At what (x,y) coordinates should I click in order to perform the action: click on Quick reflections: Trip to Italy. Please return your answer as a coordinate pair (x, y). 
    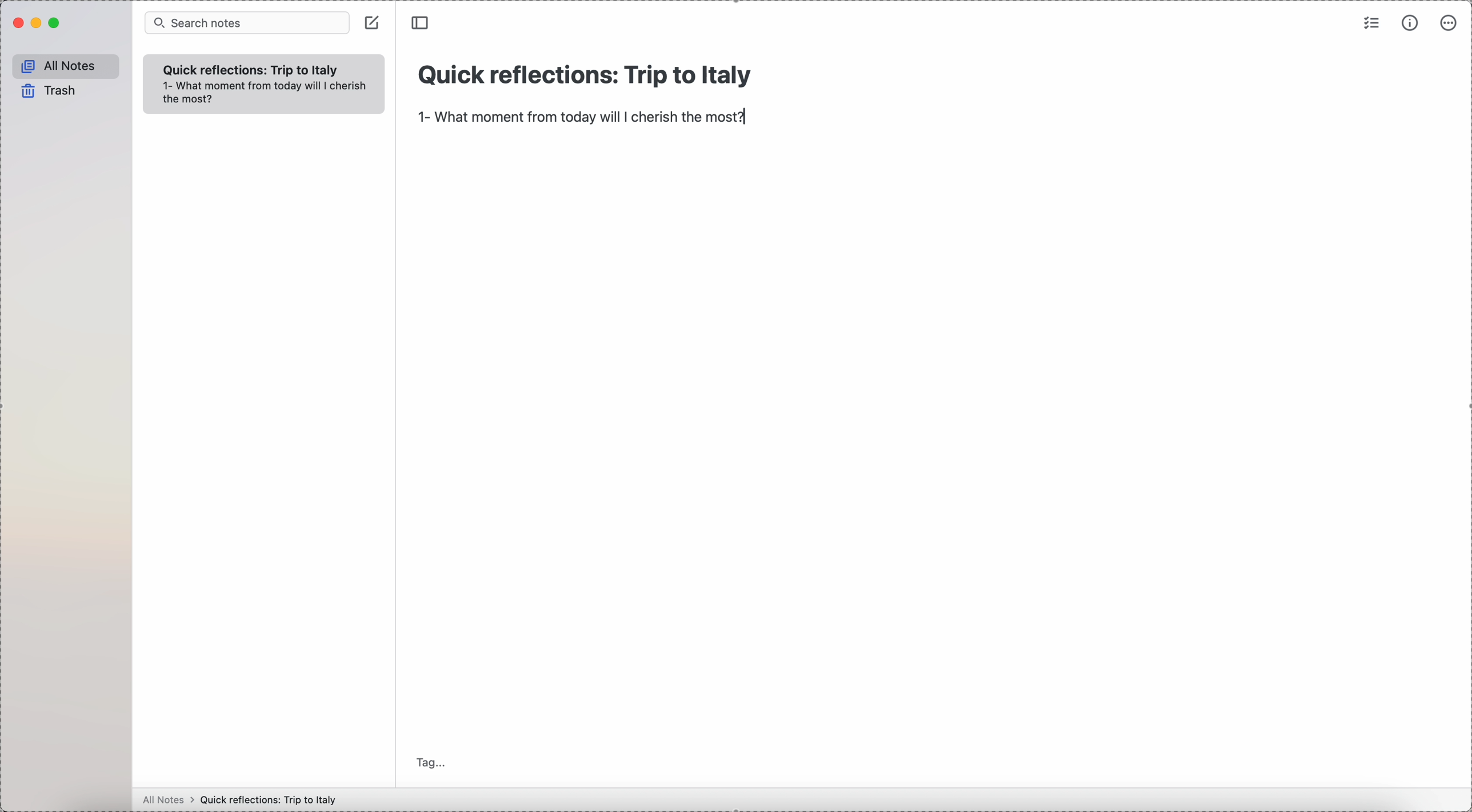
    Looking at the image, I should click on (271, 799).